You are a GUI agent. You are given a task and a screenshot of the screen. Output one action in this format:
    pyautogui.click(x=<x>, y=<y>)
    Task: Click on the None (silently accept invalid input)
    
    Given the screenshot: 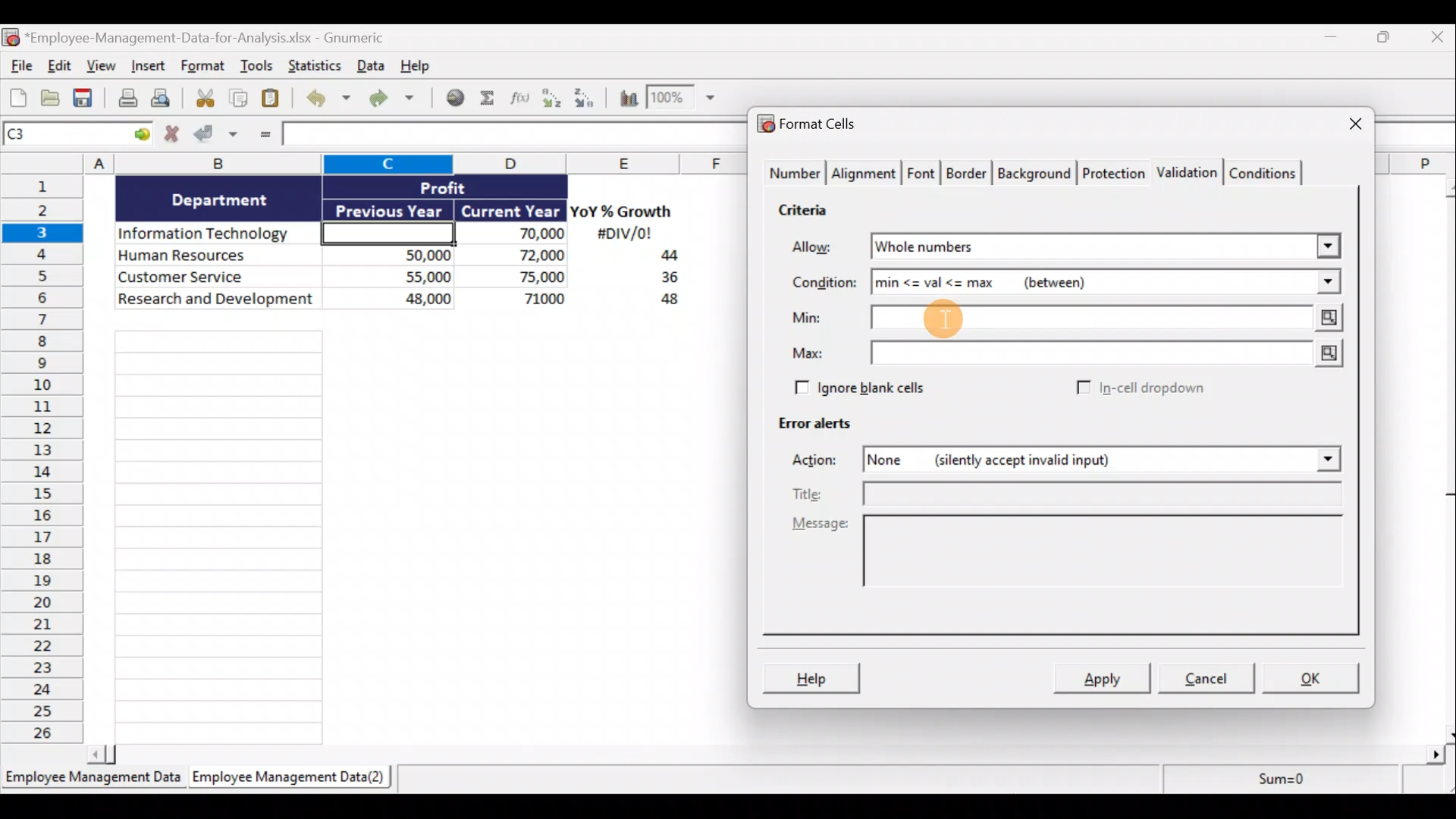 What is the action you would take?
    pyautogui.click(x=1051, y=462)
    